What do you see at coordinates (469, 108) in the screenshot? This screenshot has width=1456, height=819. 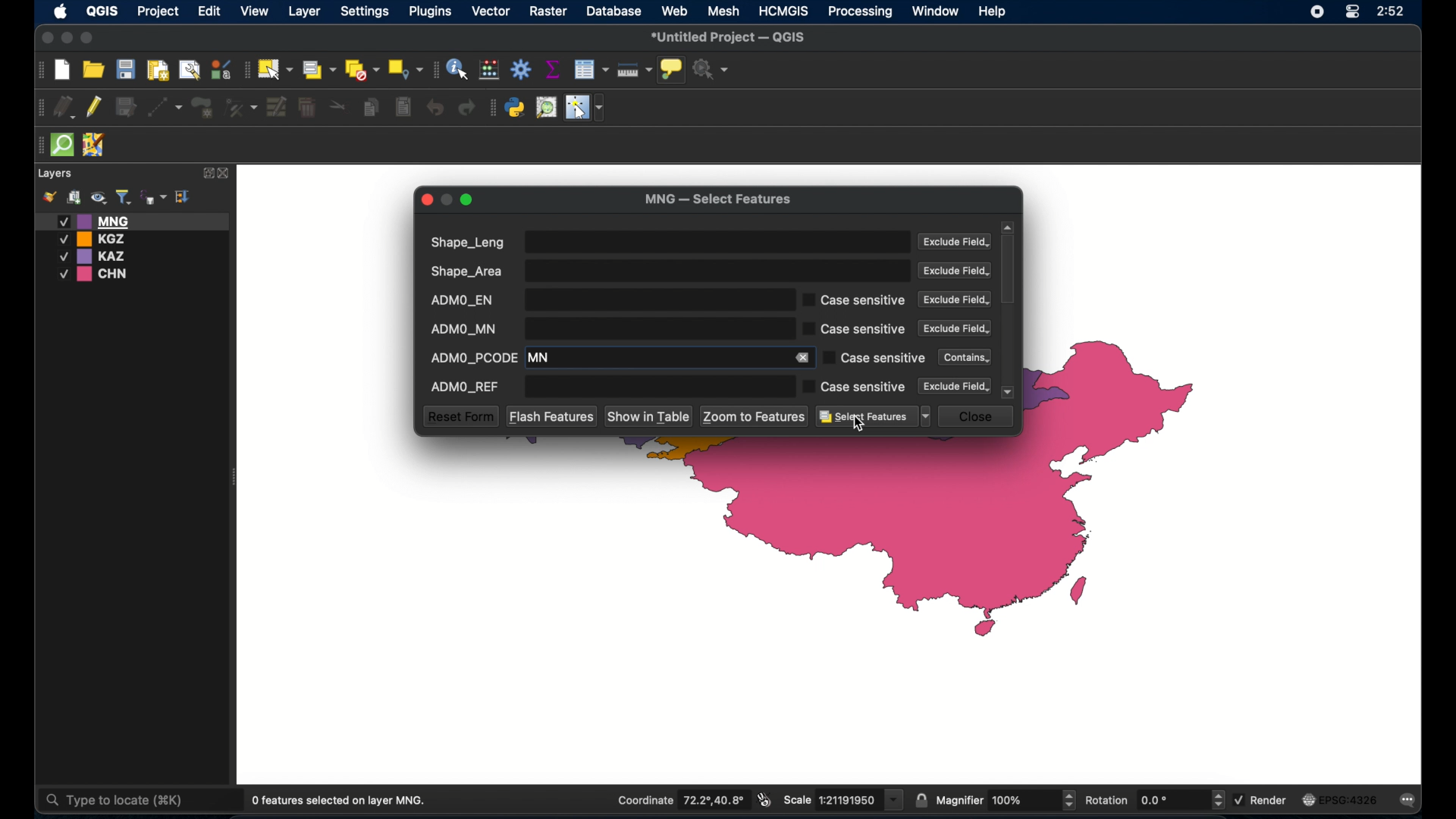 I see `redo` at bounding box center [469, 108].